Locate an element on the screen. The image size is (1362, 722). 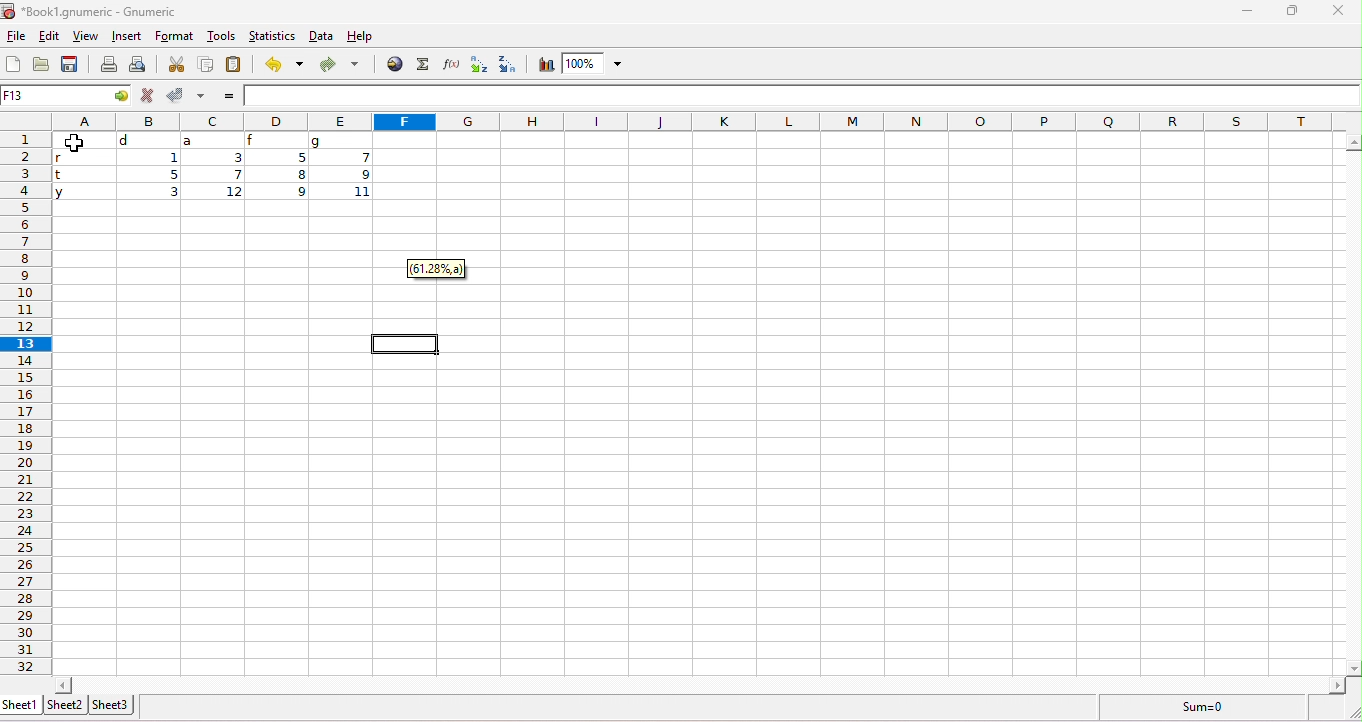
function wizard is located at coordinates (449, 63).